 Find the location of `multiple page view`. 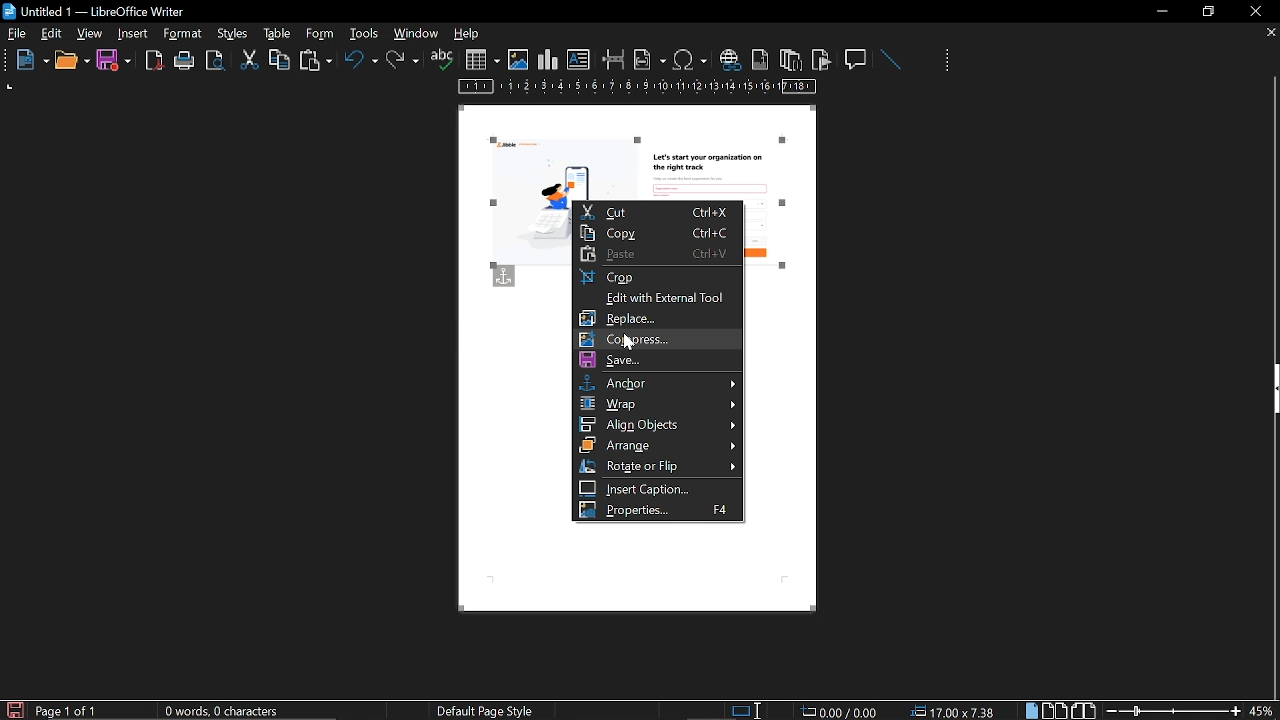

multiple page view is located at coordinates (1055, 711).